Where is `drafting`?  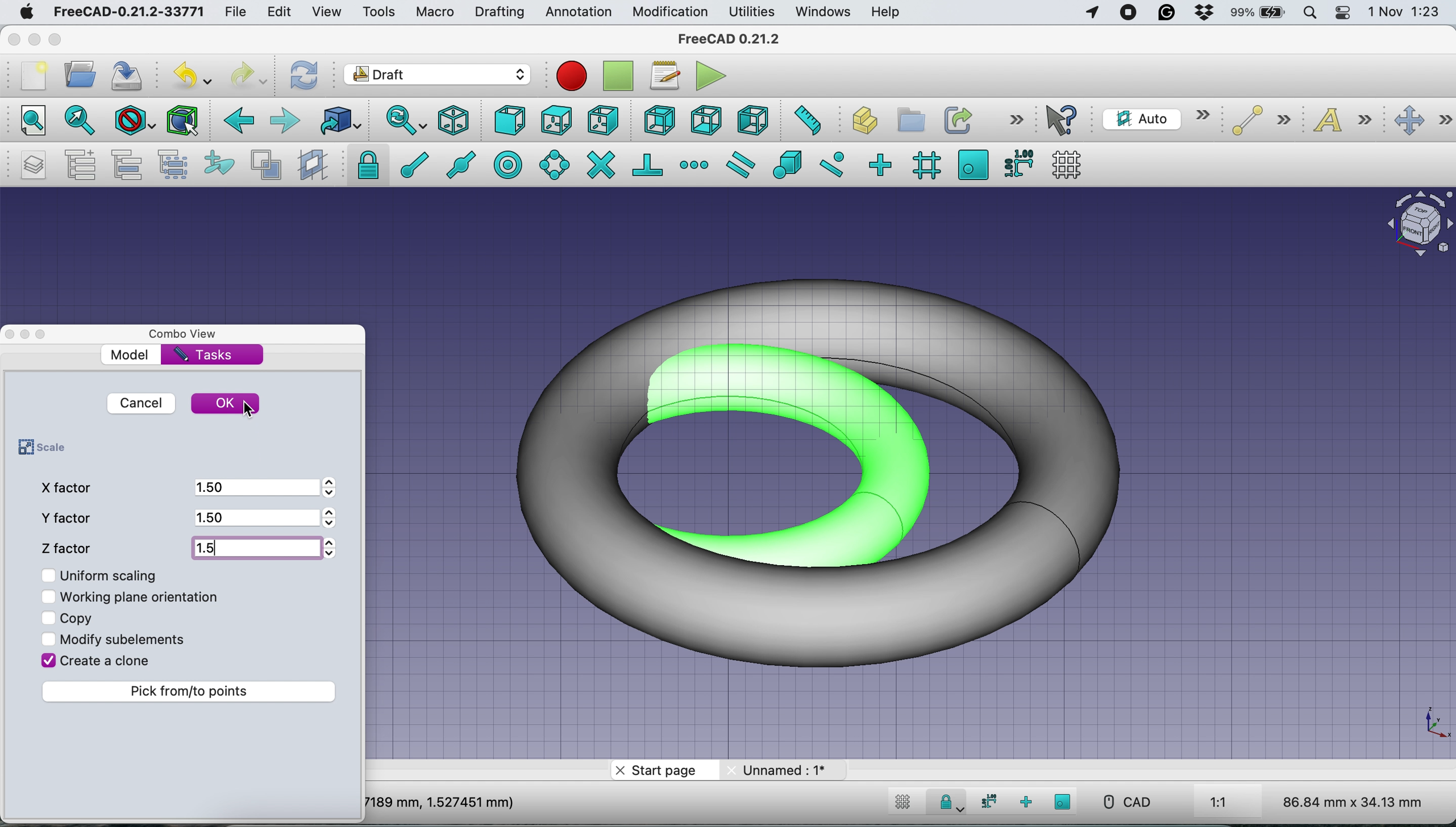
drafting is located at coordinates (499, 13).